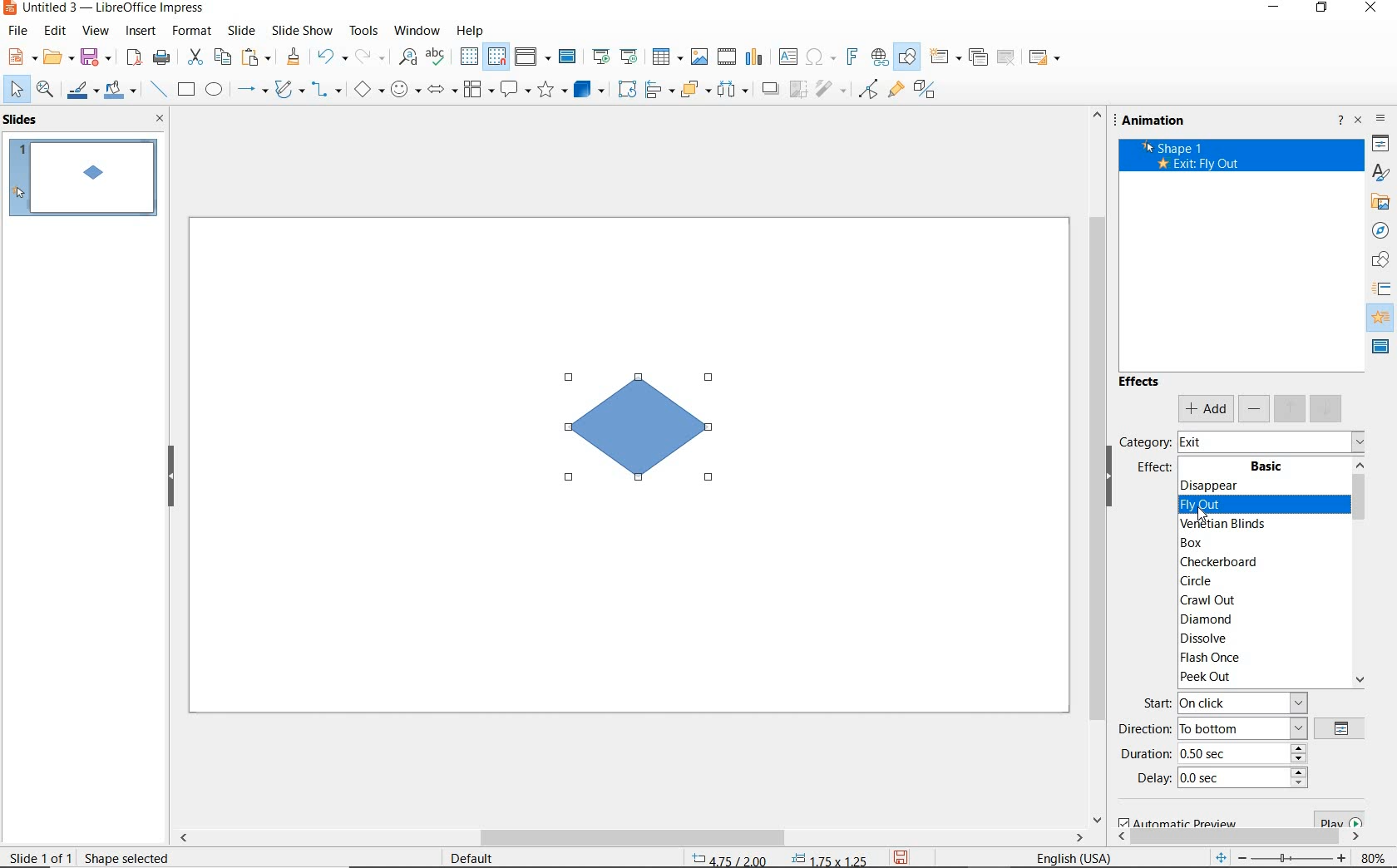 The image size is (1397, 868). What do you see at coordinates (753, 58) in the screenshot?
I see `insert chart` at bounding box center [753, 58].